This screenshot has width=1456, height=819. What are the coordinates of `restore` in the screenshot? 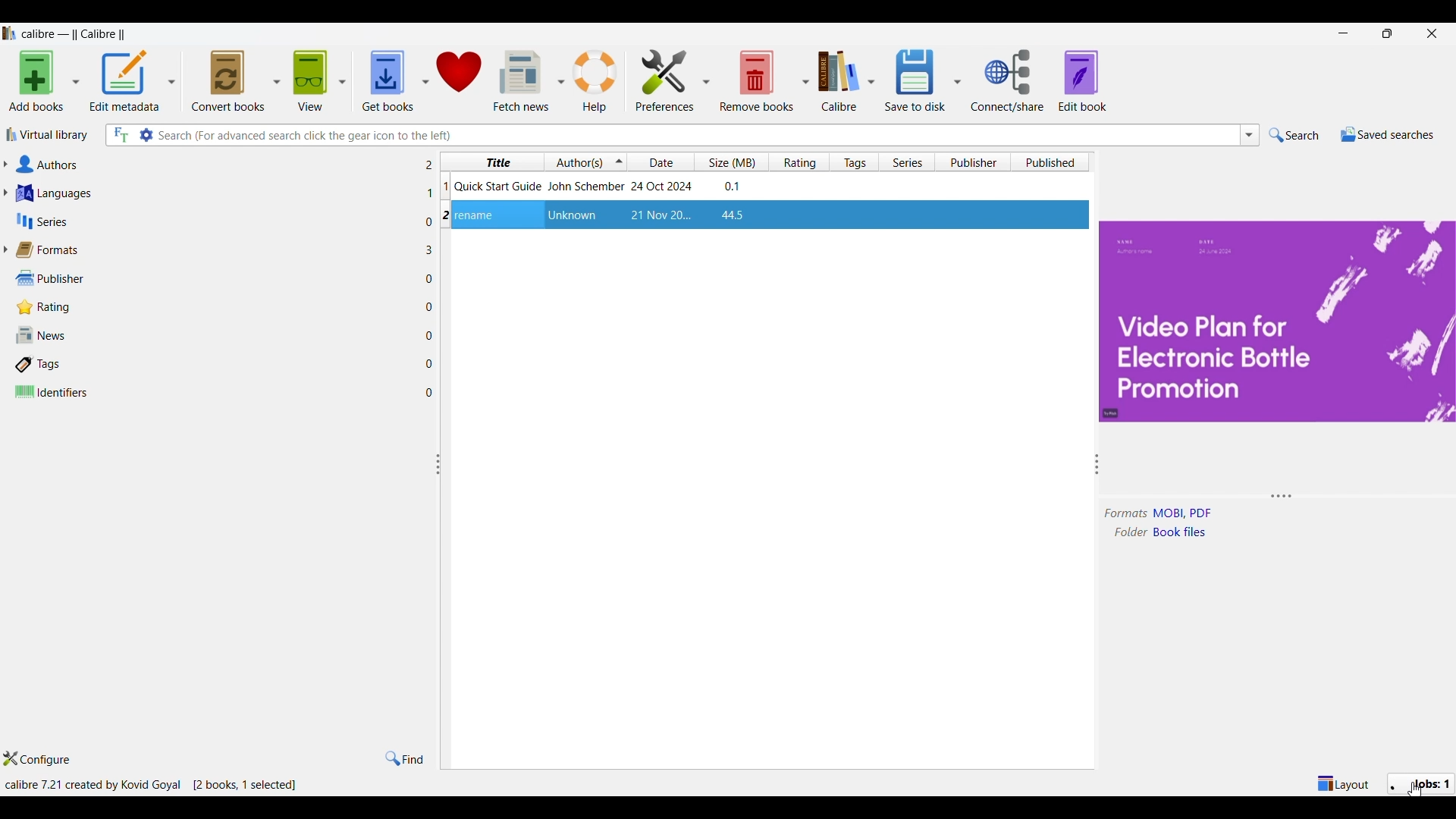 It's located at (1387, 33).